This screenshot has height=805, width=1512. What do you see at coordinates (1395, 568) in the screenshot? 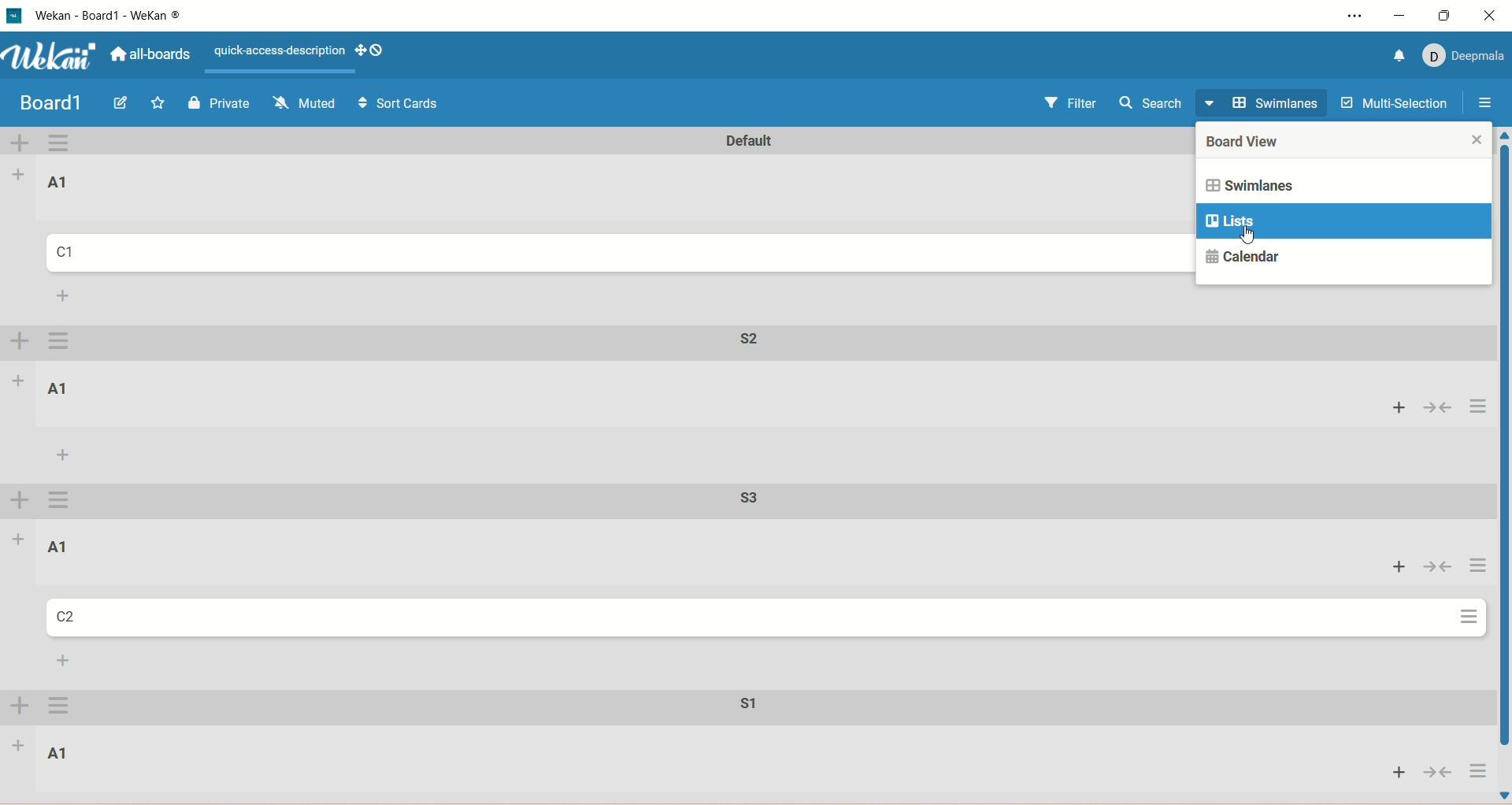
I see `add` at bounding box center [1395, 568].